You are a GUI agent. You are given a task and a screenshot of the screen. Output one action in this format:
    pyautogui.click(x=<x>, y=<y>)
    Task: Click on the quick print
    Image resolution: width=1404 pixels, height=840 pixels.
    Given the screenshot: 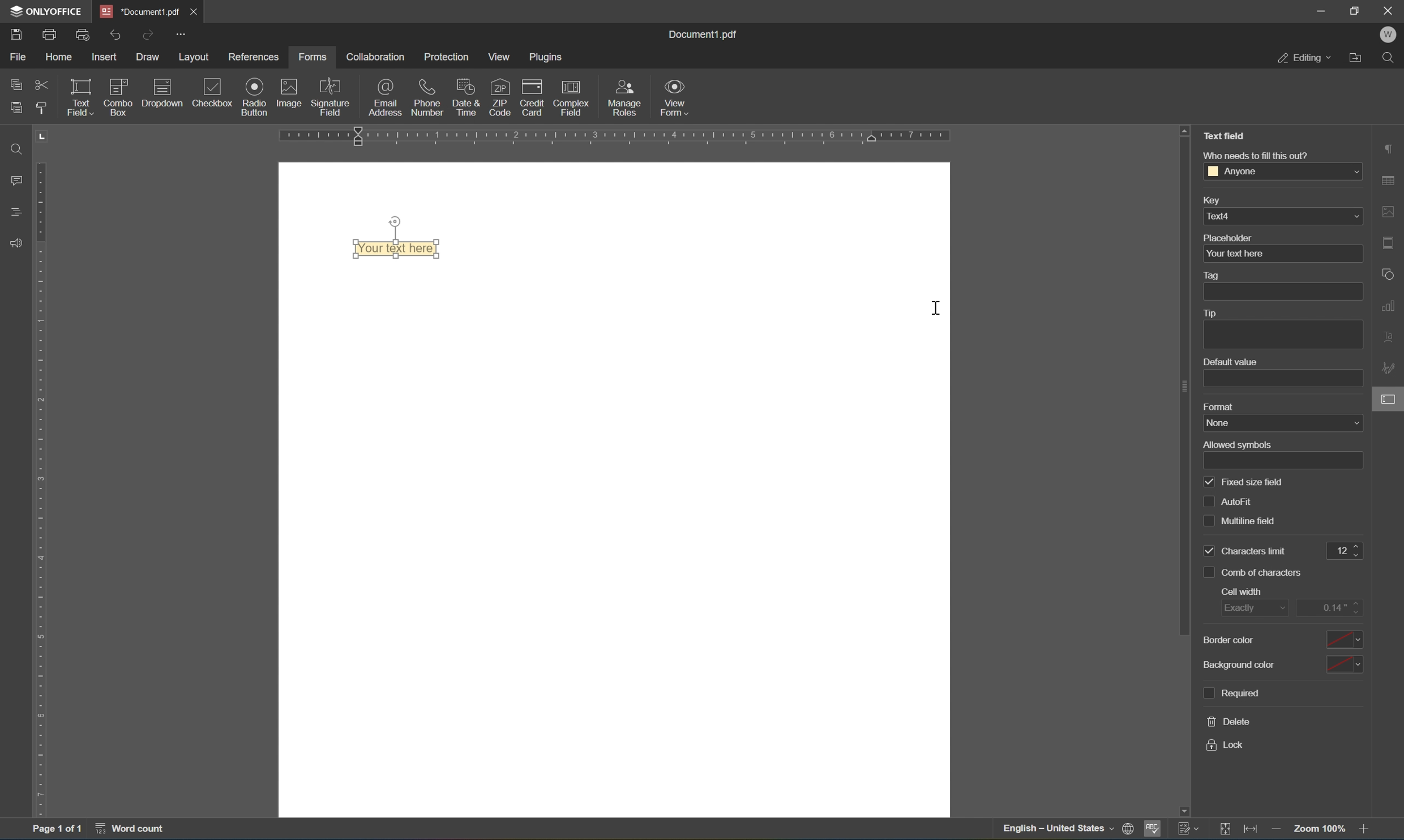 What is the action you would take?
    pyautogui.click(x=81, y=34)
    